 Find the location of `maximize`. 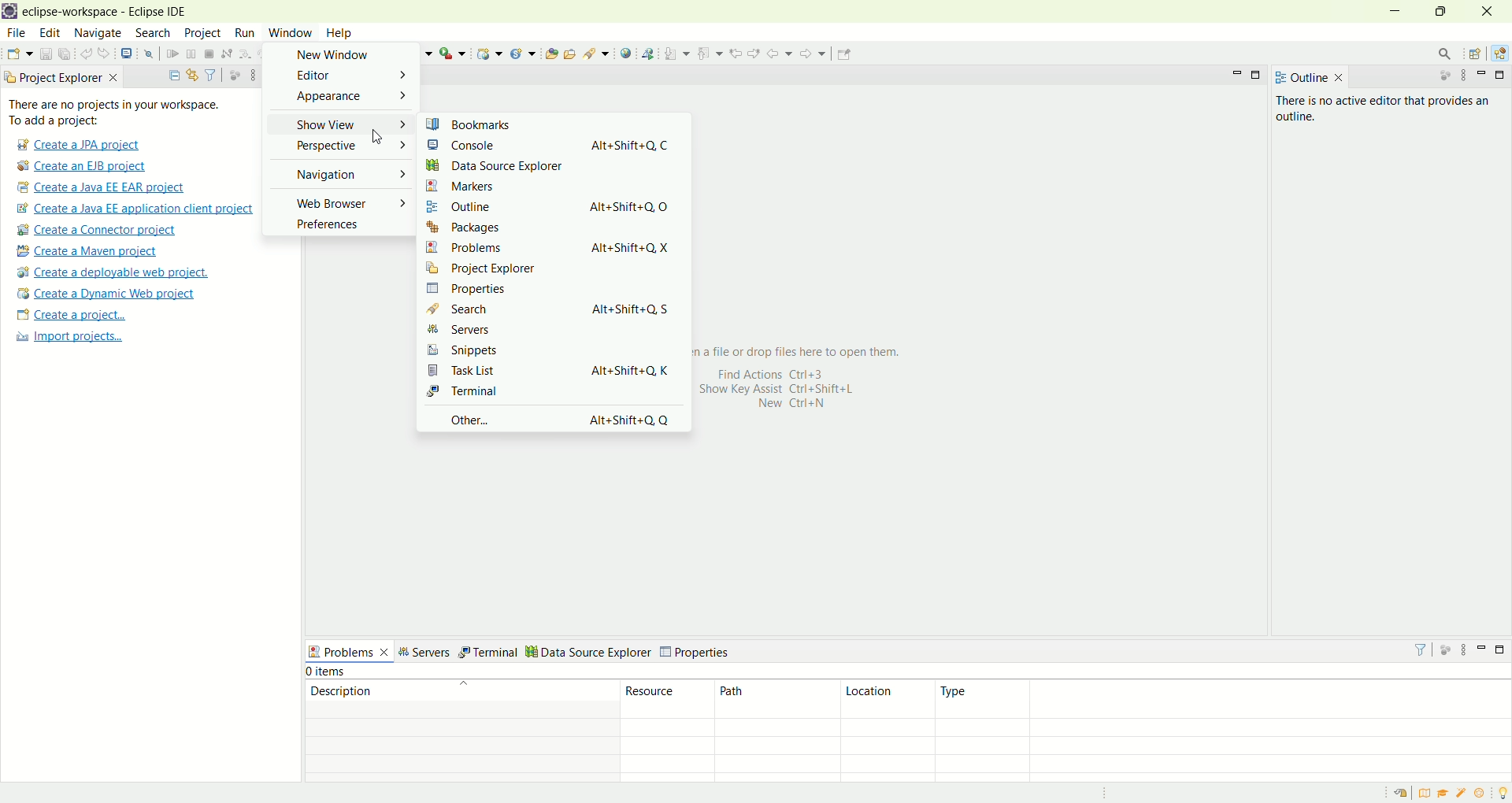

maximize is located at coordinates (1442, 12).